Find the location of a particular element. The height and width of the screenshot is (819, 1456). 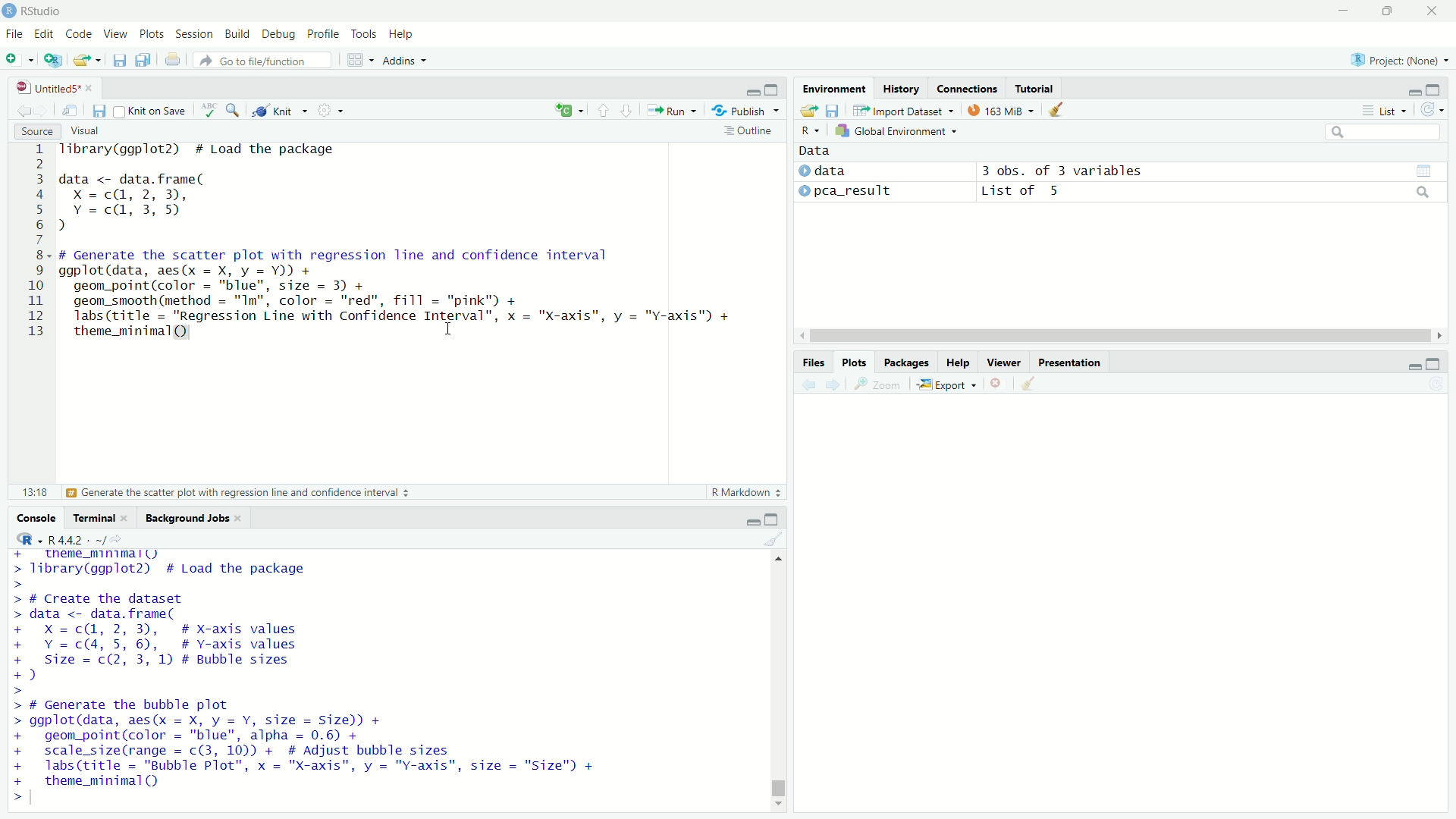

Background Jobs is located at coordinates (185, 519).